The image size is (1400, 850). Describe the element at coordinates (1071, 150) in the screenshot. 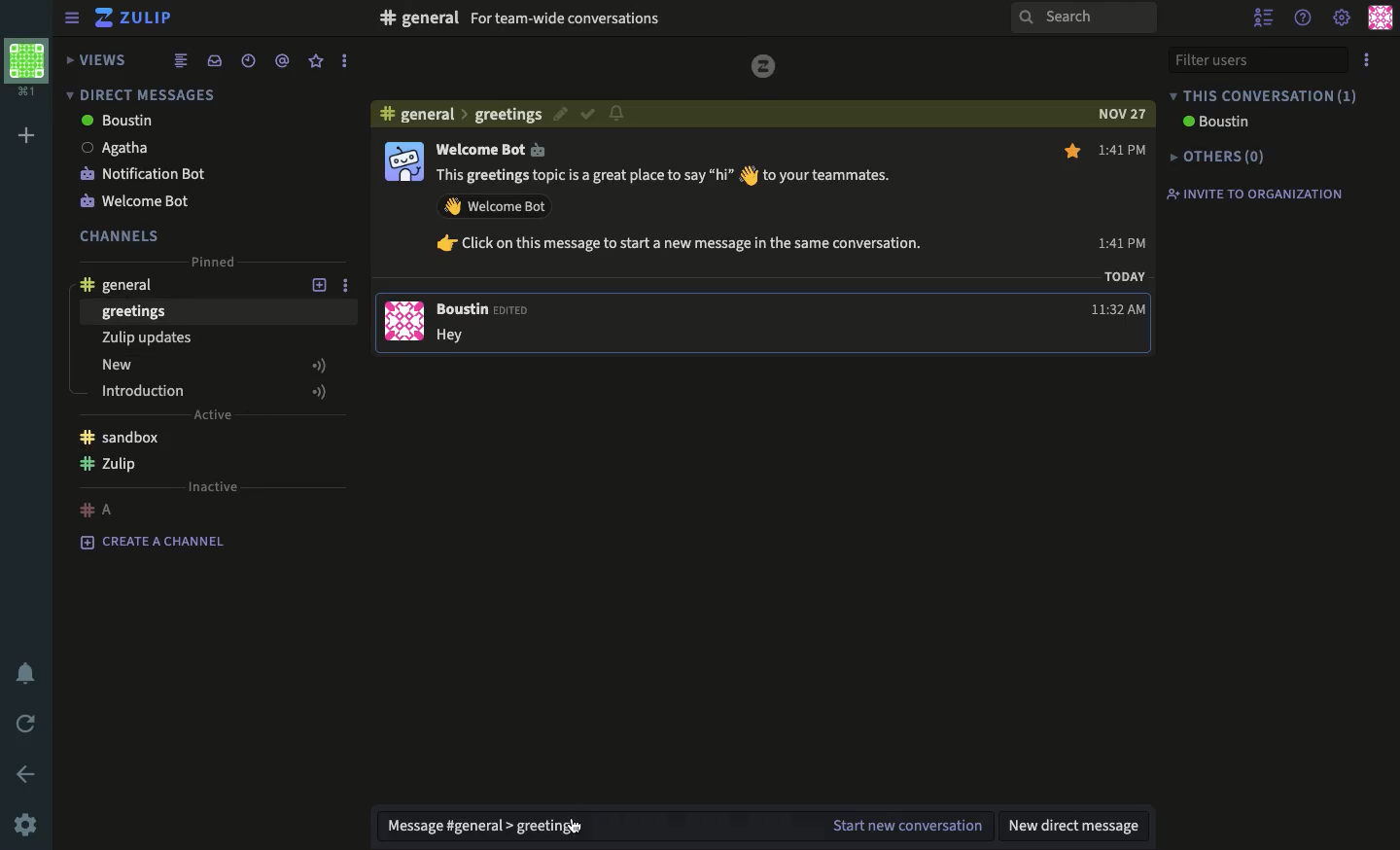

I see `star` at that location.